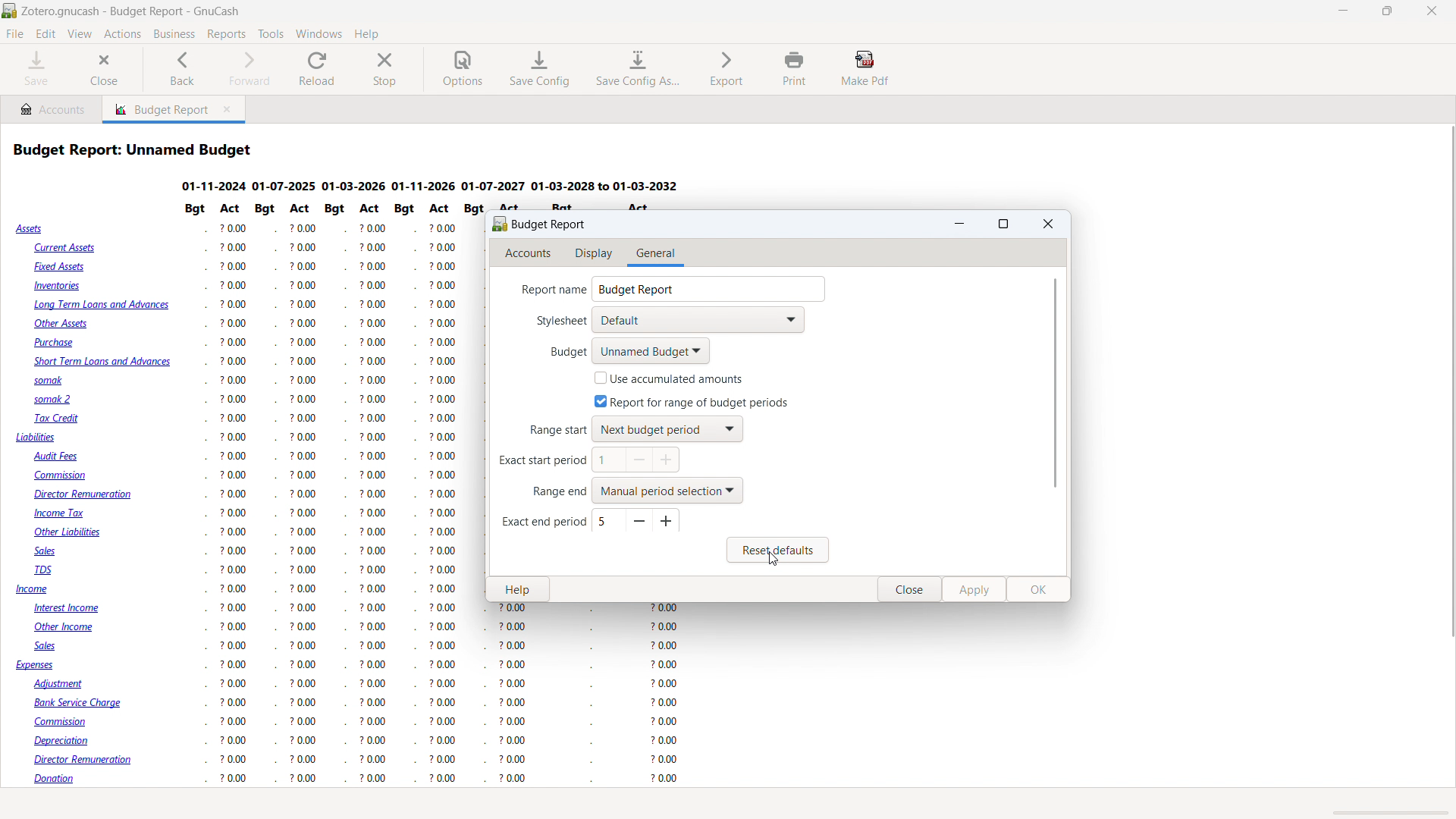  What do you see at coordinates (866, 68) in the screenshot?
I see `make pdf` at bounding box center [866, 68].